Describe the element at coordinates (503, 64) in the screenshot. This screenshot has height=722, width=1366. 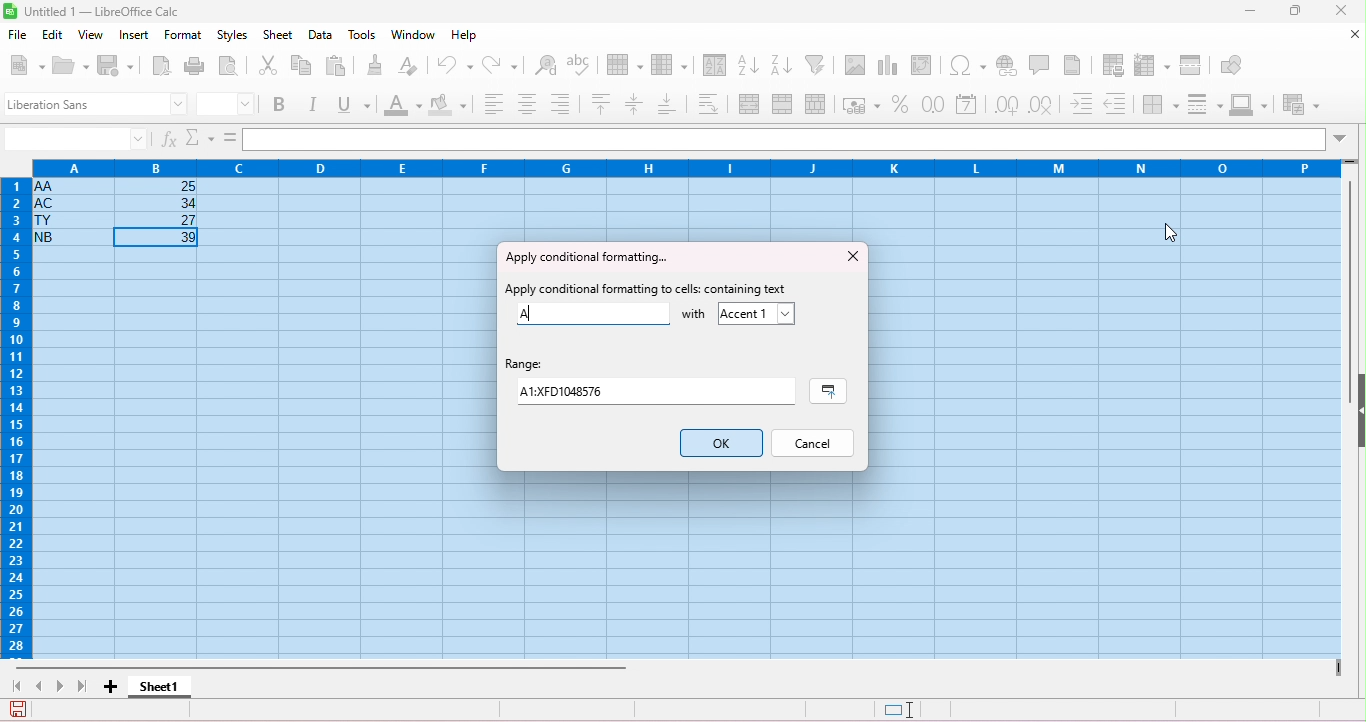
I see `redo` at that location.